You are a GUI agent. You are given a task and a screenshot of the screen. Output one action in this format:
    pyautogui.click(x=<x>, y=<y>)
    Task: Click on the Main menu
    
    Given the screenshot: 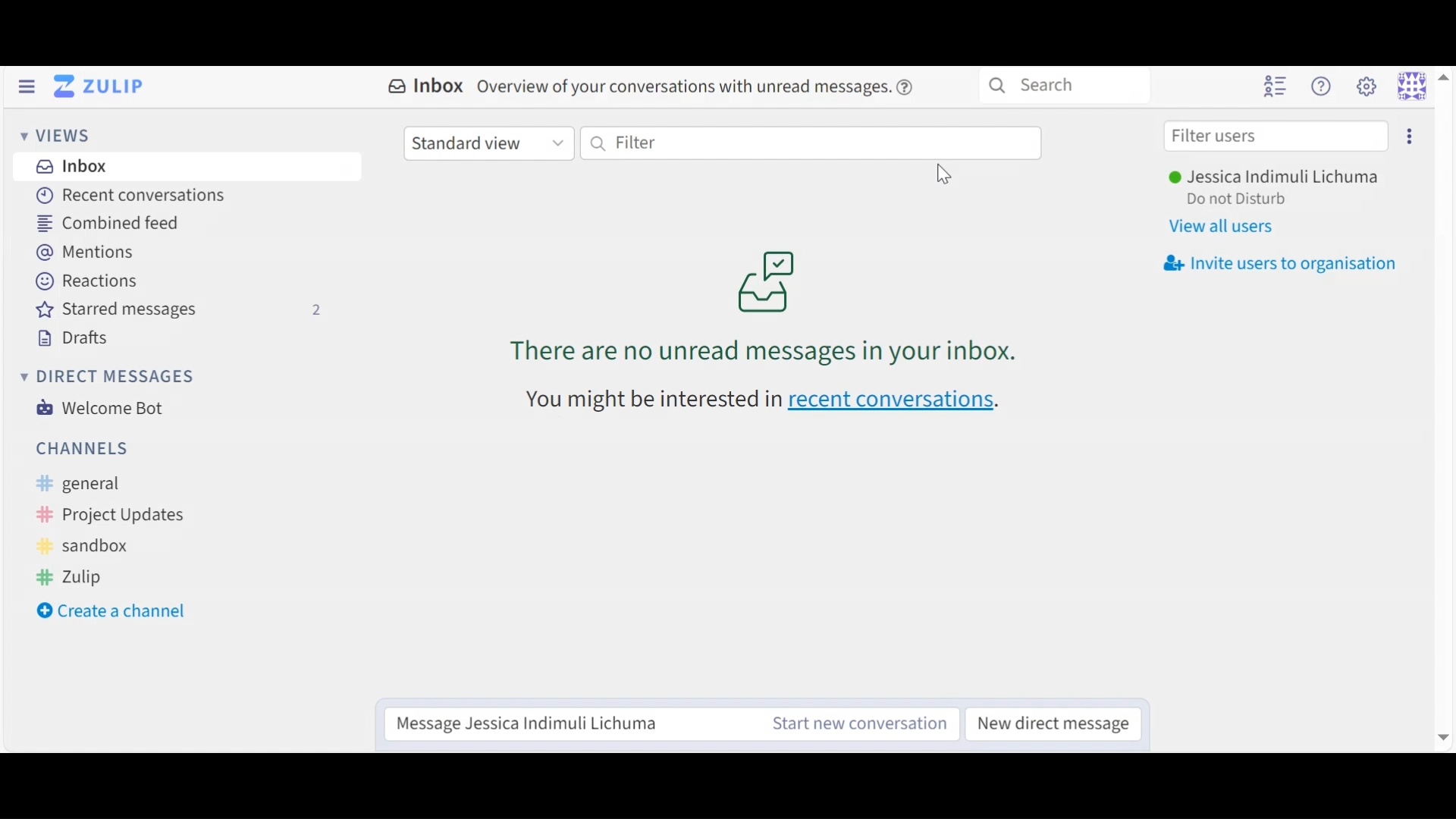 What is the action you would take?
    pyautogui.click(x=1366, y=86)
    